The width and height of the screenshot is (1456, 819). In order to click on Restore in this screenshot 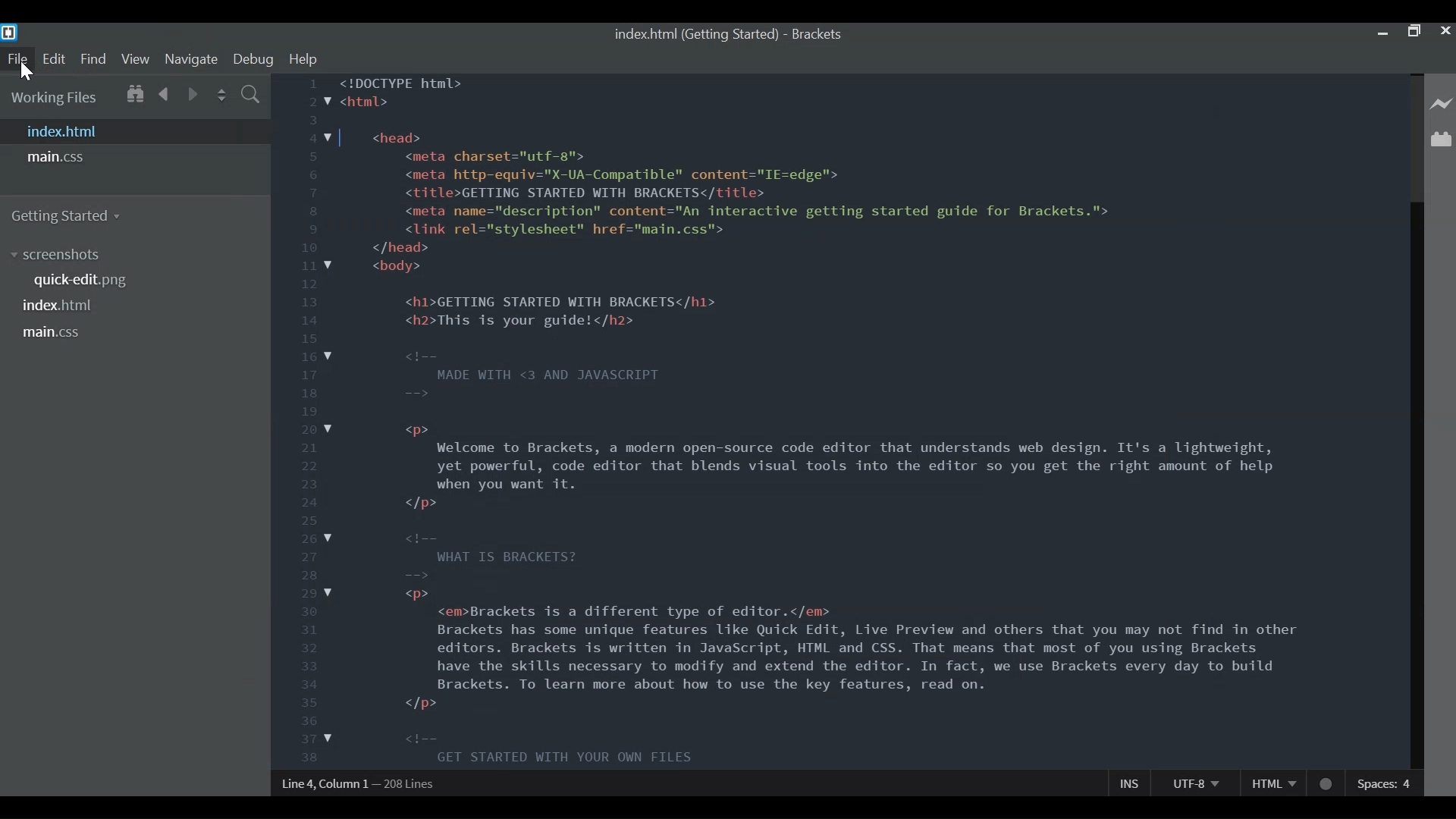, I will do `click(1414, 32)`.